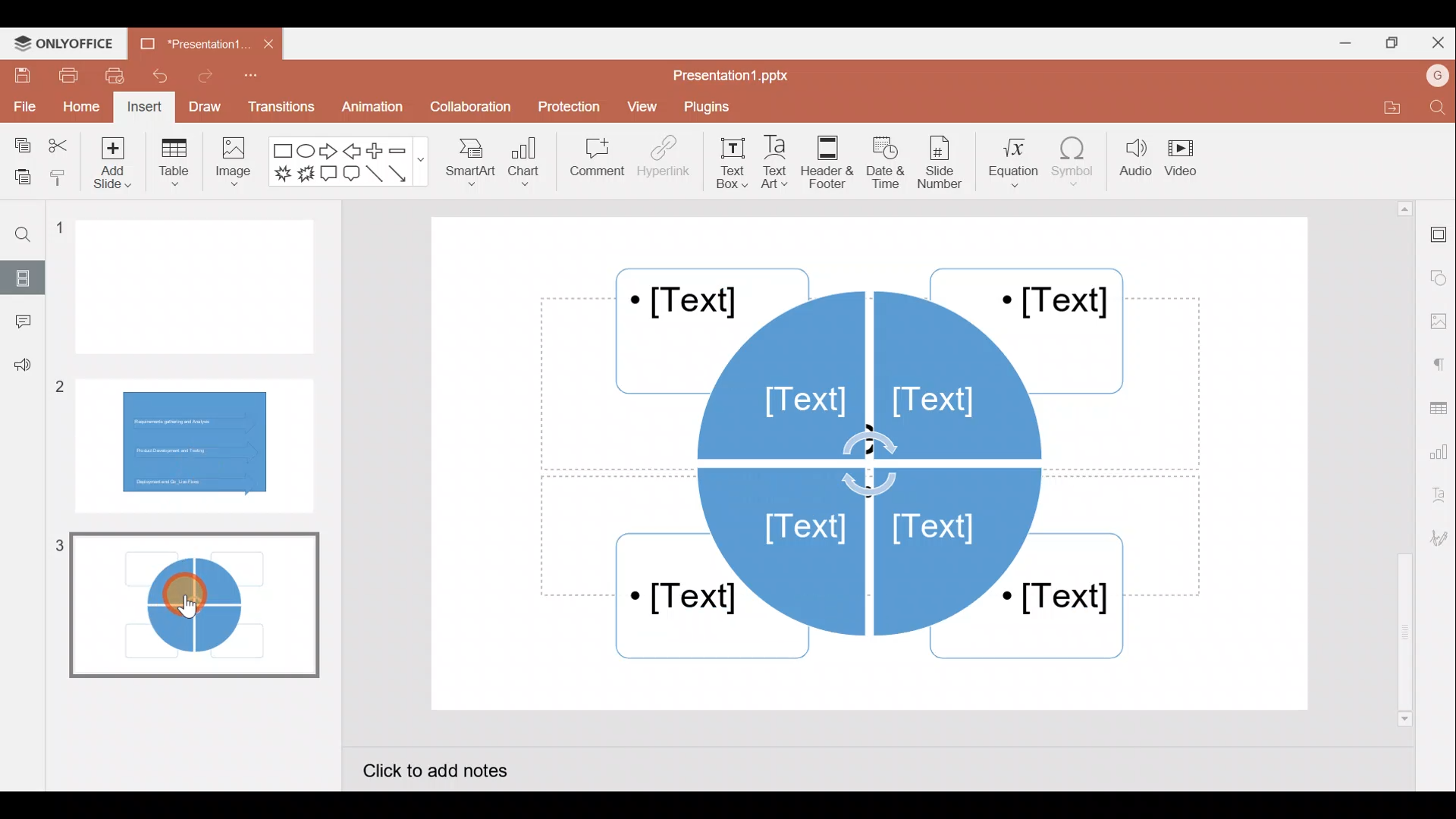 The height and width of the screenshot is (819, 1456). Describe the element at coordinates (63, 76) in the screenshot. I see `Print file` at that location.